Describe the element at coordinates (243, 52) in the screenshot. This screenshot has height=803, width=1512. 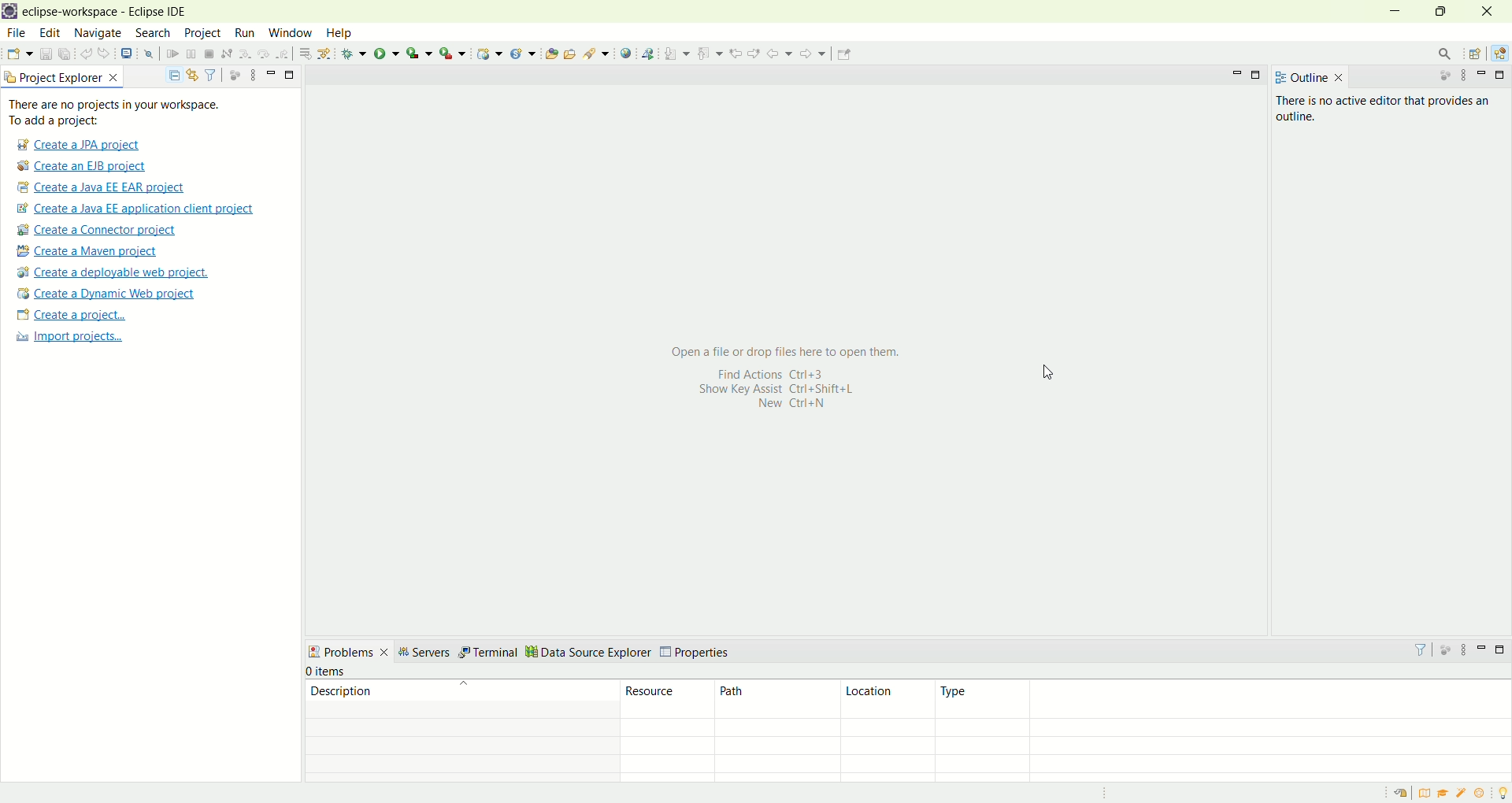
I see `step into` at that location.